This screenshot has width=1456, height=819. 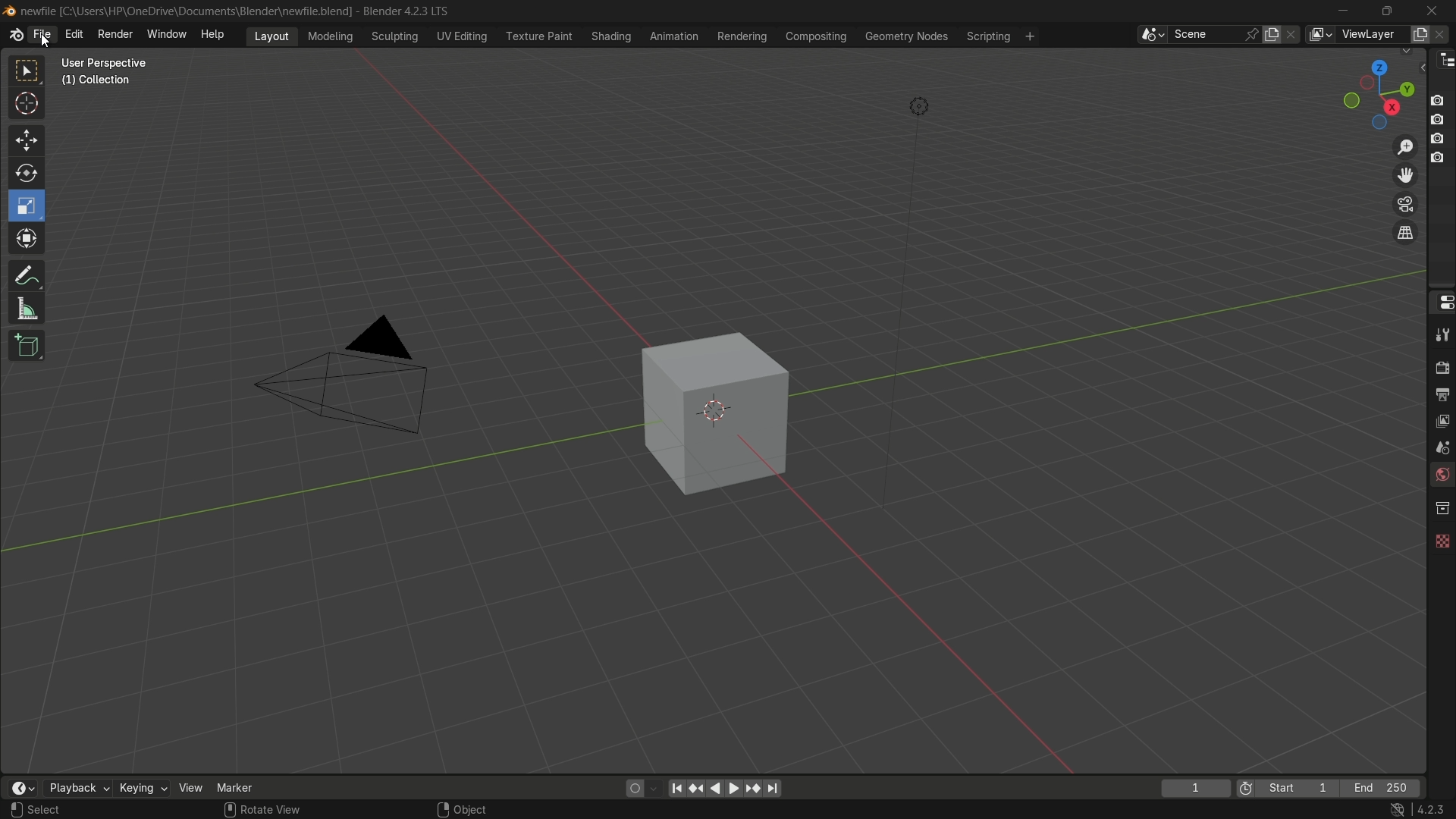 I want to click on move view layer, so click(x=1404, y=174).